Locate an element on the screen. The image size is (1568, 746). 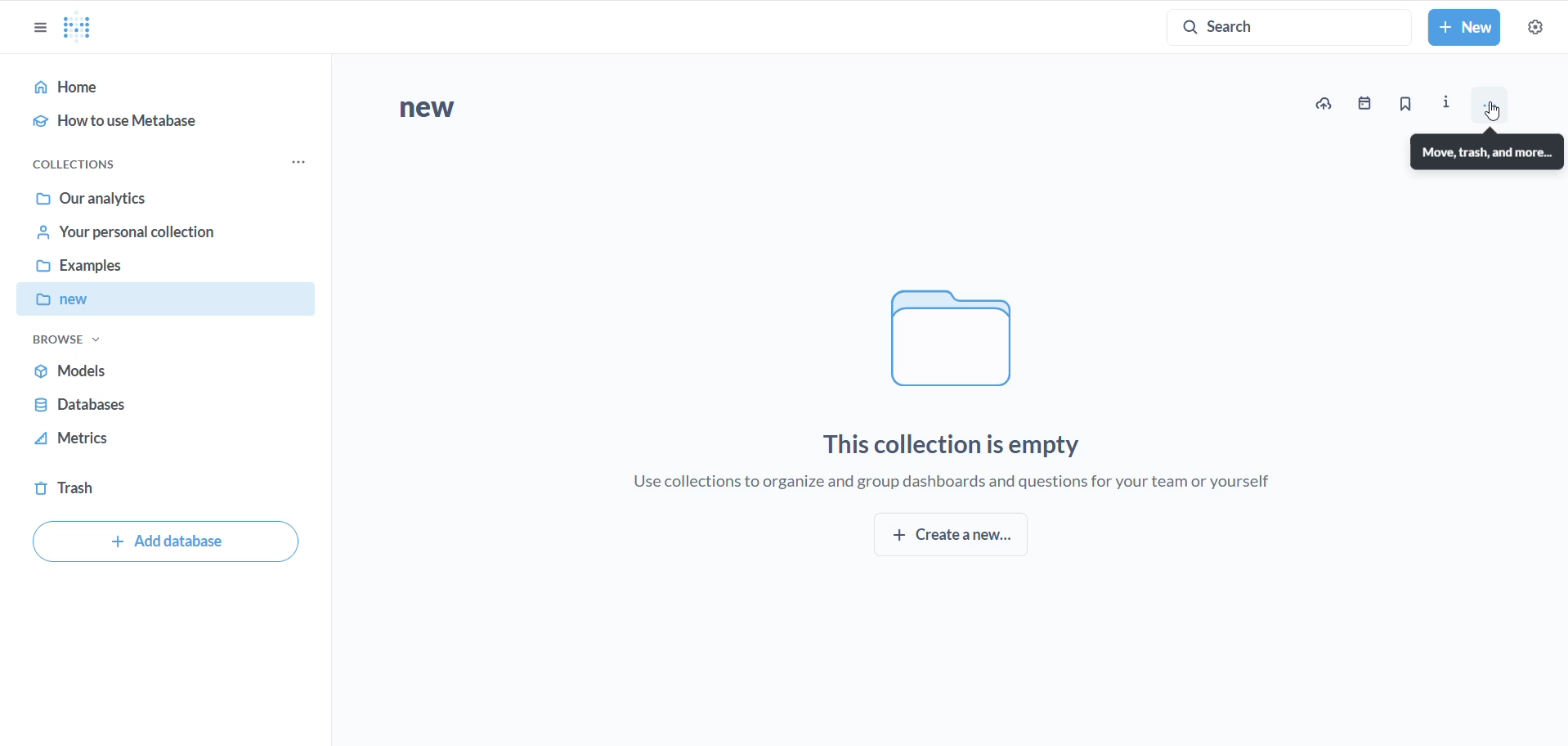
create new is located at coordinates (959, 538).